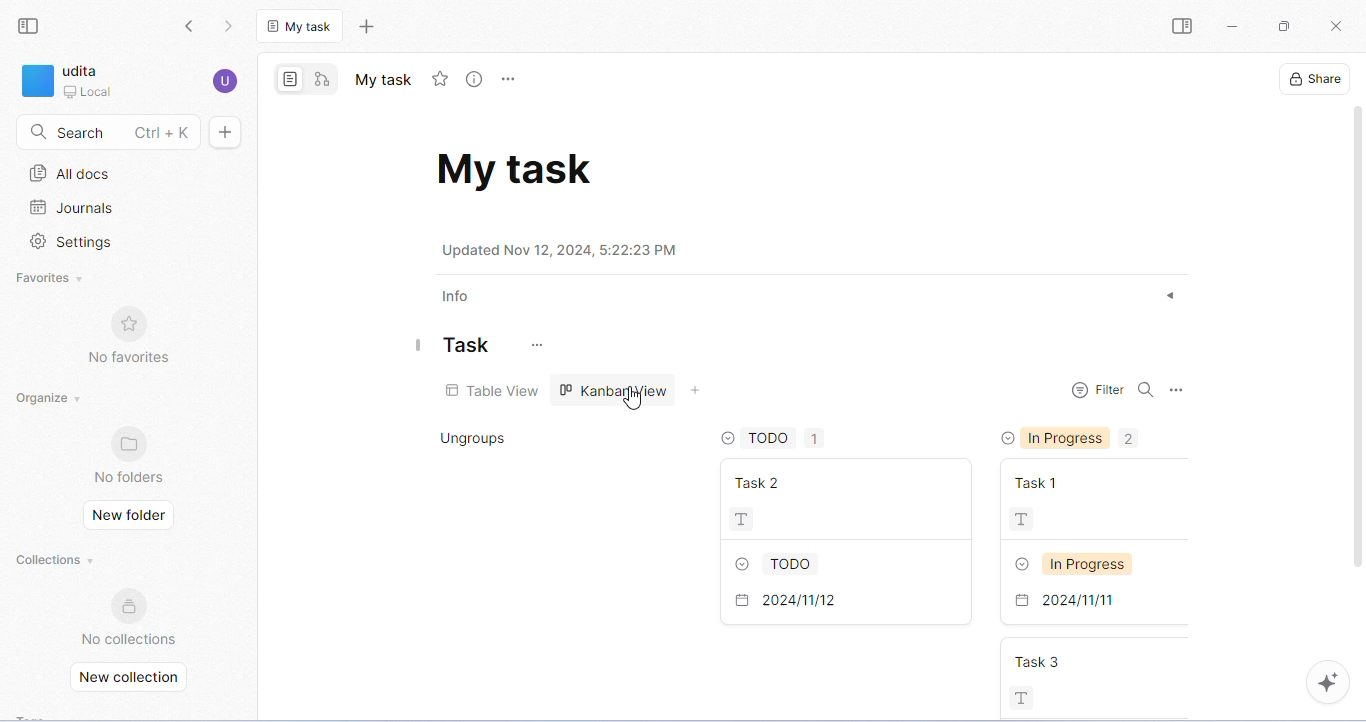  Describe the element at coordinates (1235, 28) in the screenshot. I see `minimize` at that location.